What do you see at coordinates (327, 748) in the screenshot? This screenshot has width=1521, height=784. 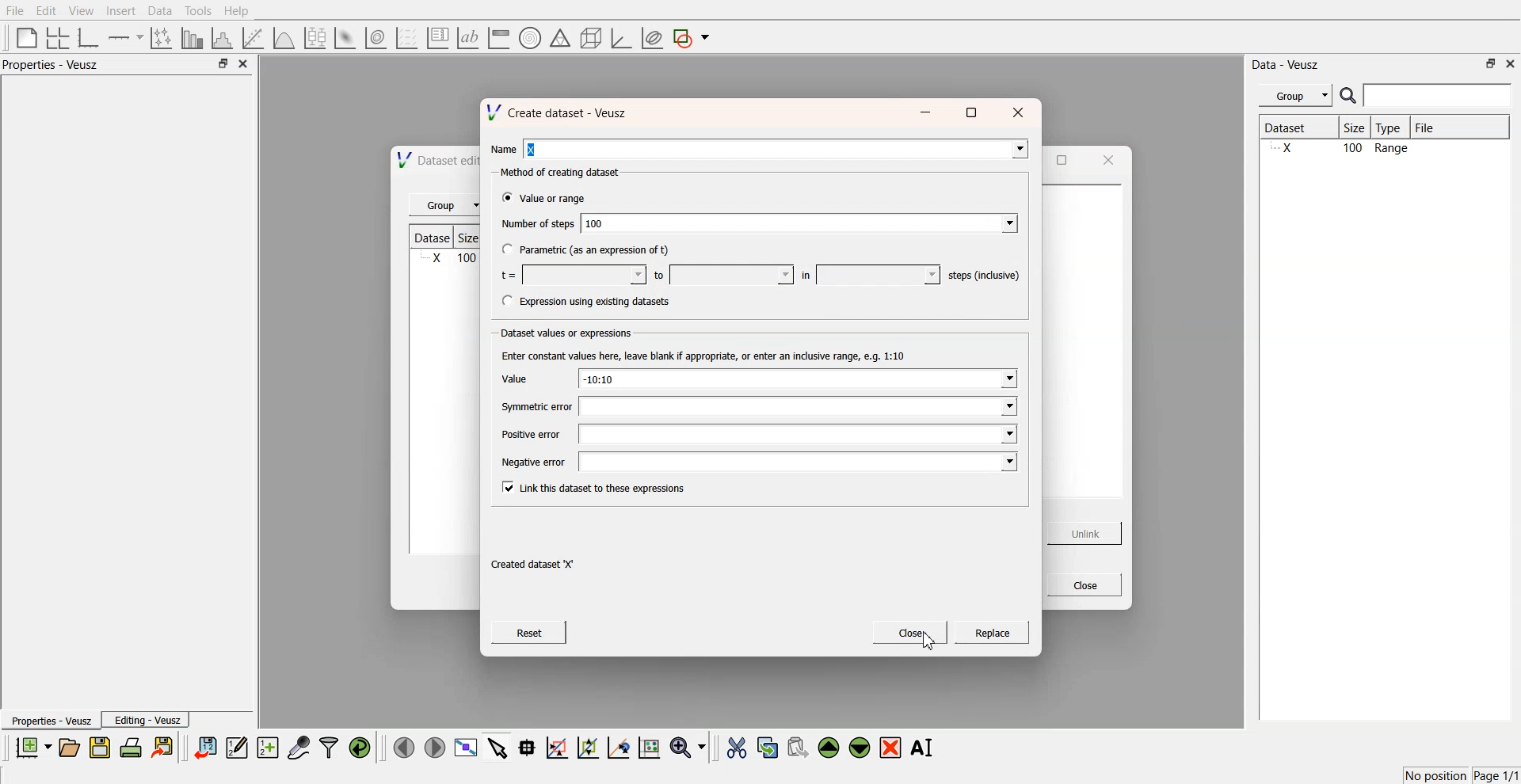 I see `filters` at bounding box center [327, 748].